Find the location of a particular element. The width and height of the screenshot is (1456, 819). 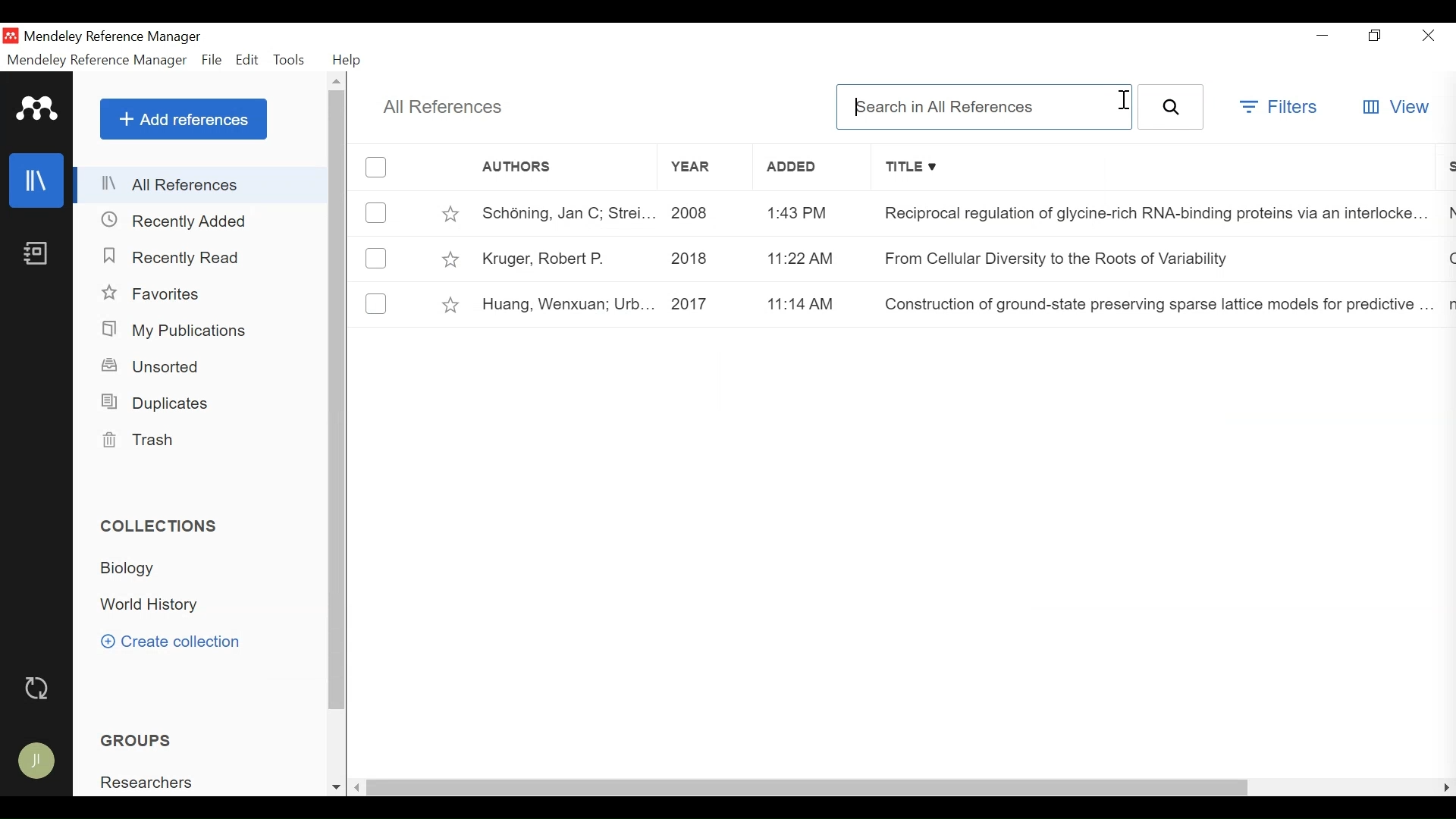

Mendeley Reference Manager is located at coordinates (116, 39).